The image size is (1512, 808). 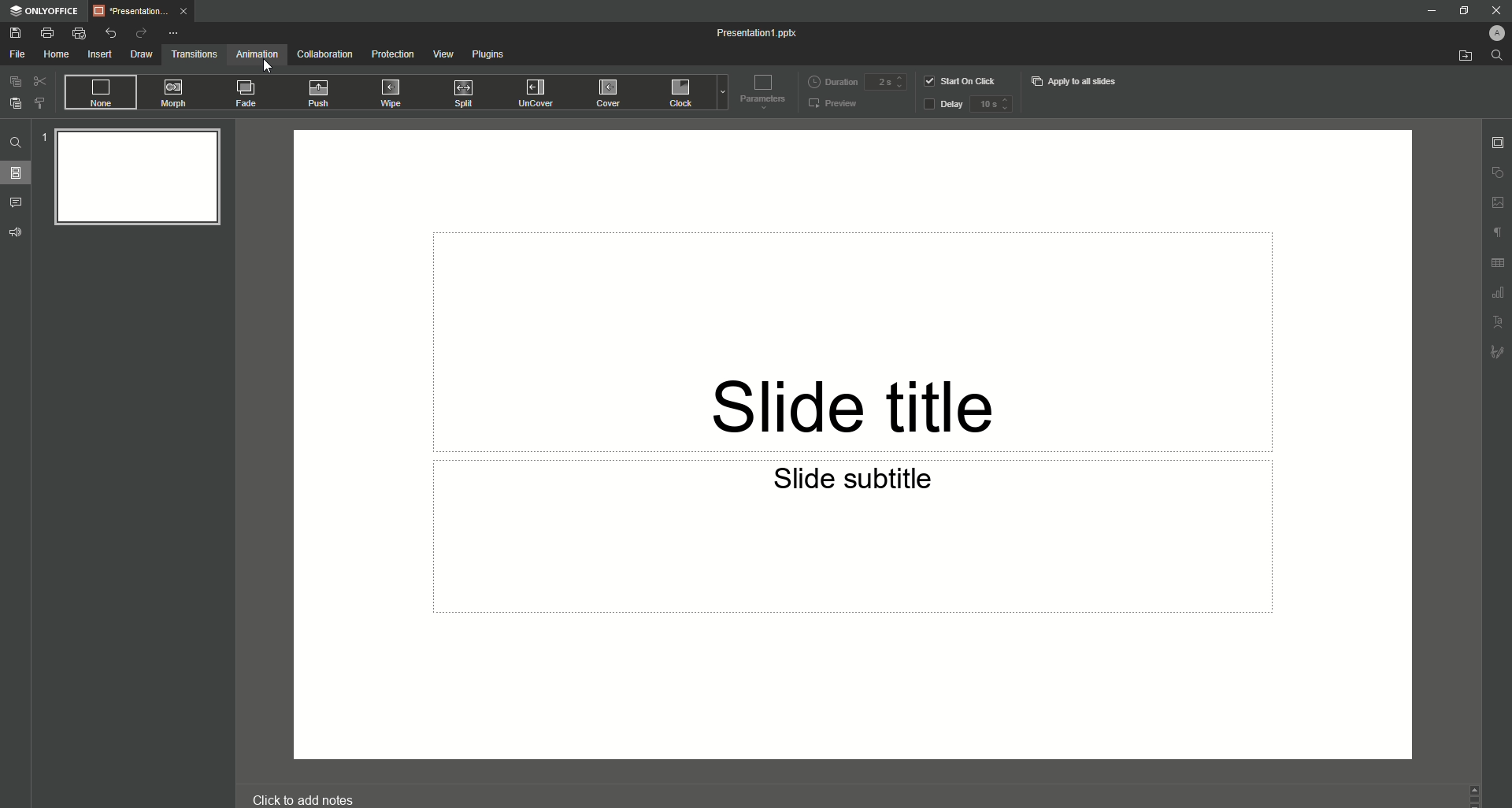 What do you see at coordinates (1497, 56) in the screenshot?
I see `Find` at bounding box center [1497, 56].